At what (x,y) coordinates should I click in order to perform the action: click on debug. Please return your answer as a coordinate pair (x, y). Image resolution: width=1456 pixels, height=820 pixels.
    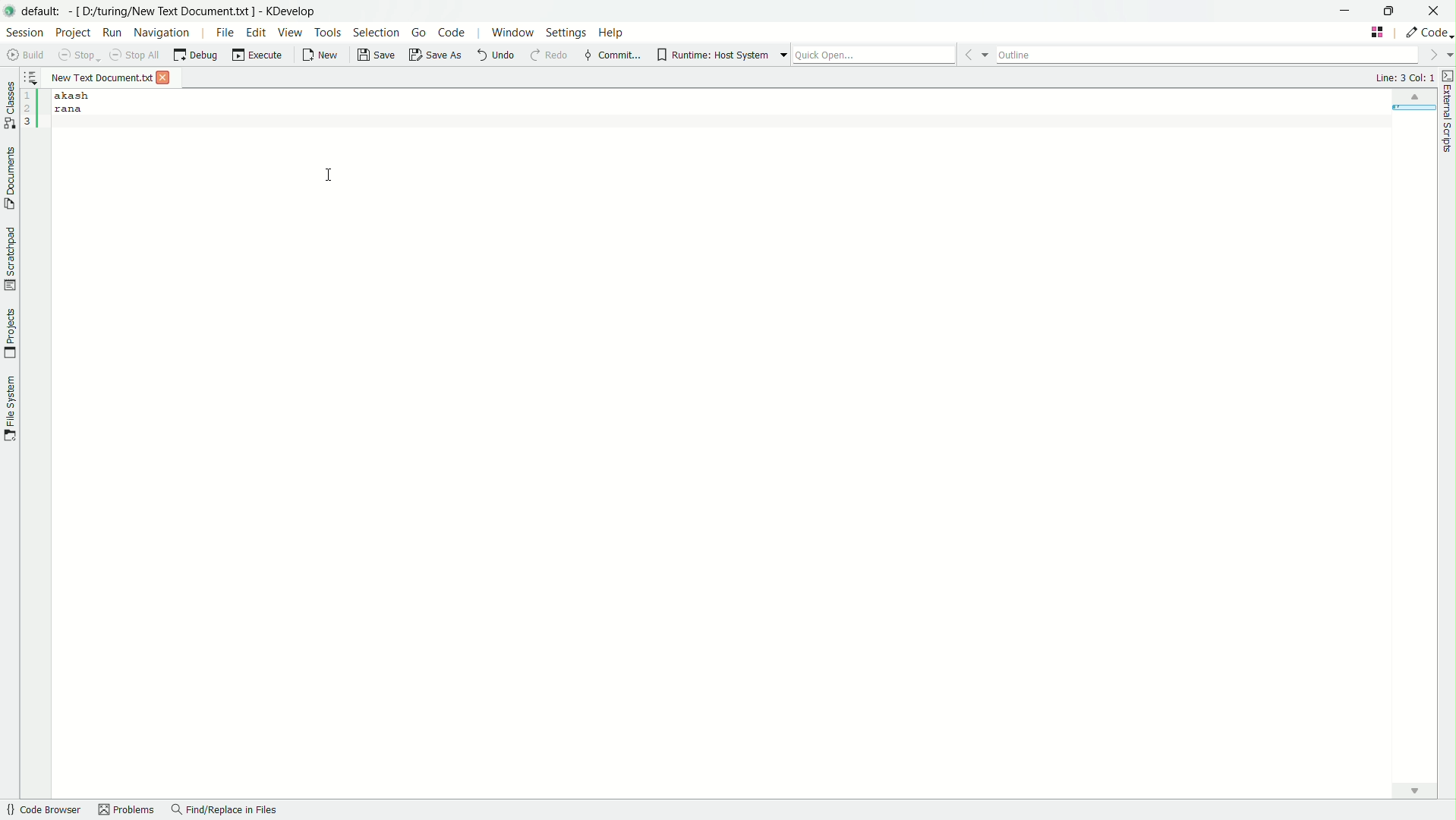
    Looking at the image, I should click on (195, 55).